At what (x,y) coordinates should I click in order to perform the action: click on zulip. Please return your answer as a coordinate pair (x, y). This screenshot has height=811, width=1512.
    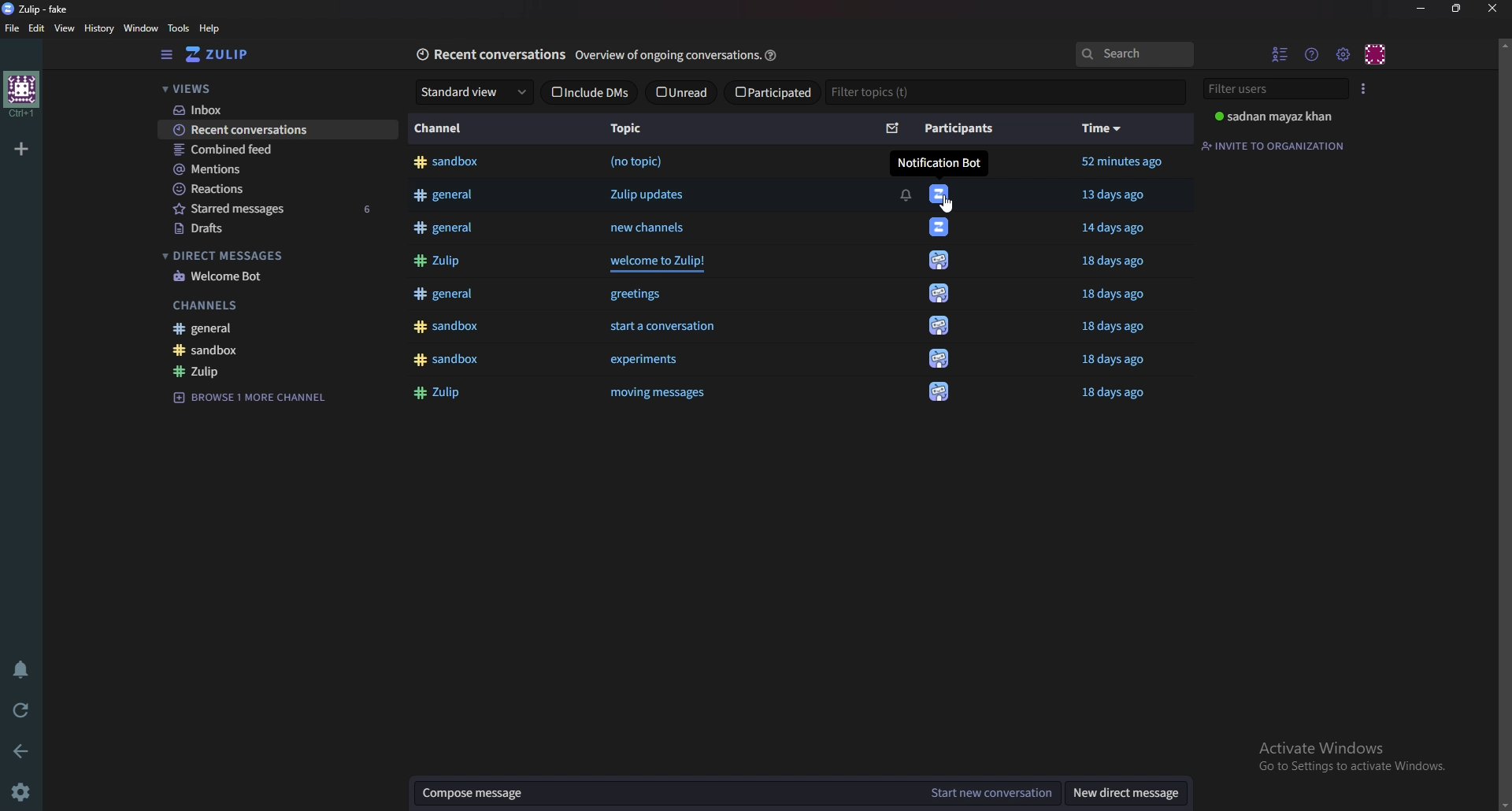
    Looking at the image, I should click on (261, 369).